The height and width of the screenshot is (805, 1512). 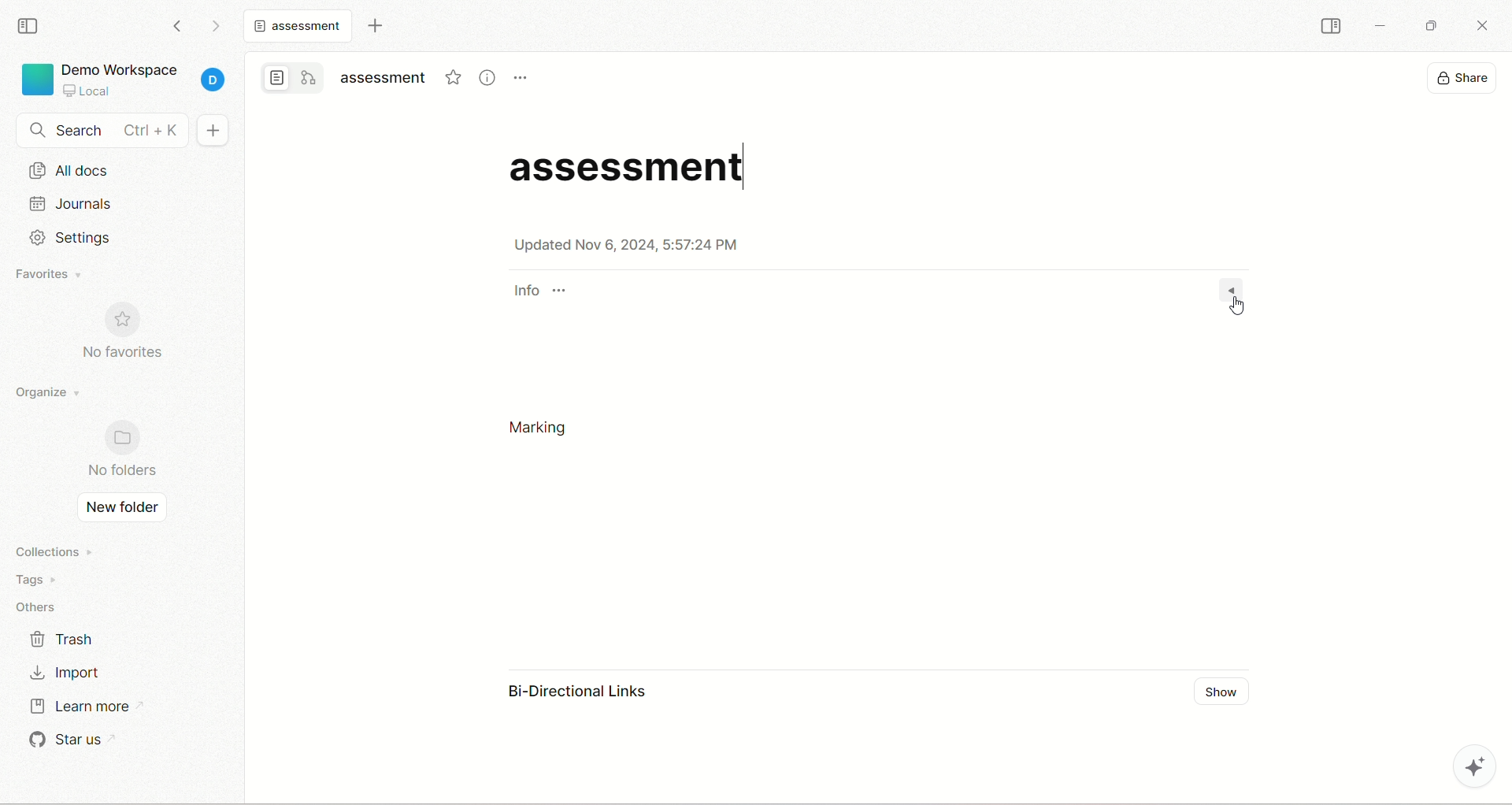 What do you see at coordinates (540, 290) in the screenshot?
I see `info` at bounding box center [540, 290].